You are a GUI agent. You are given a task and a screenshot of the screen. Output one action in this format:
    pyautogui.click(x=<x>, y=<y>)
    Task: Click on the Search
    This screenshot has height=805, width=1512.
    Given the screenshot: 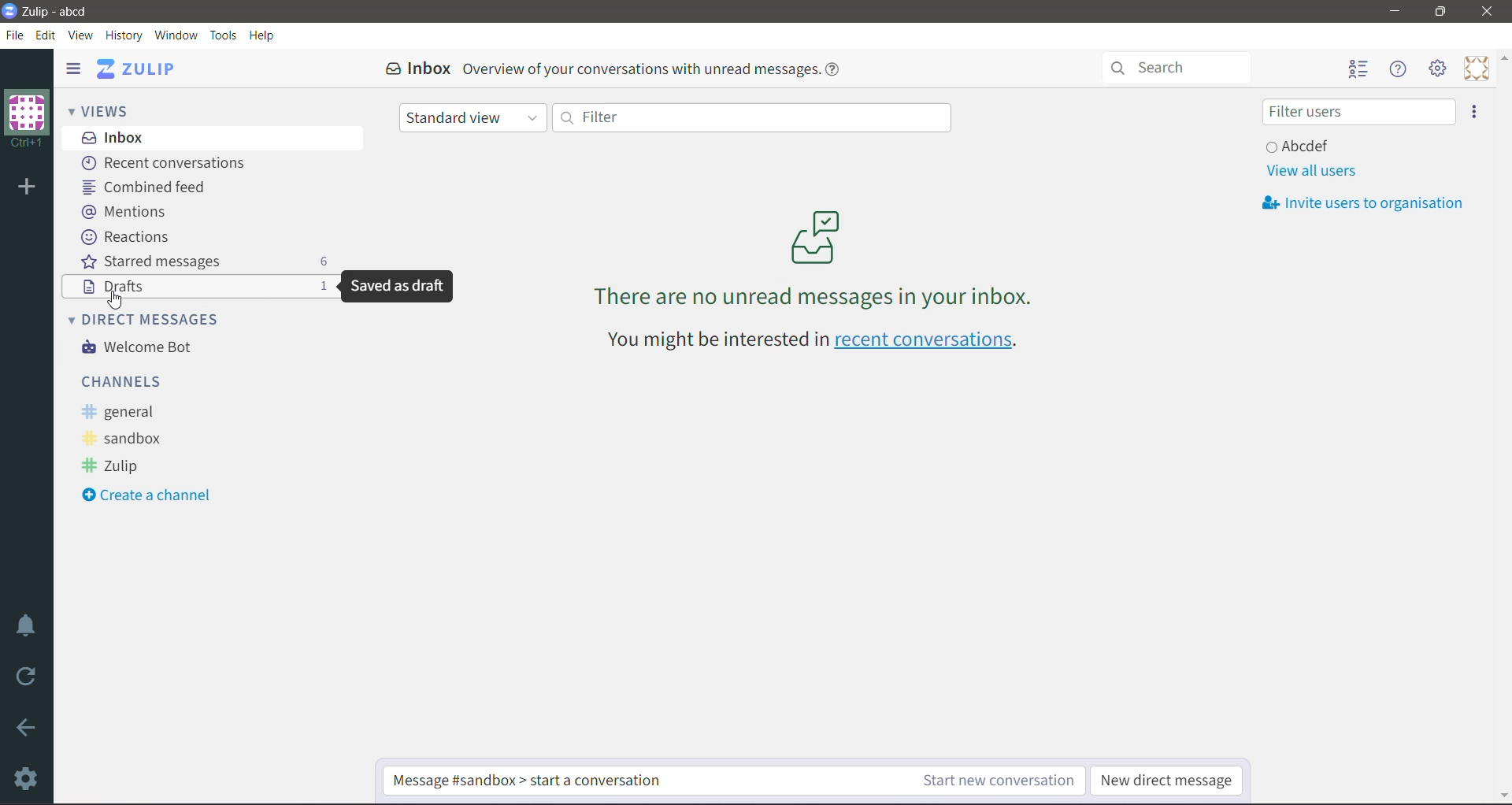 What is the action you would take?
    pyautogui.click(x=1184, y=66)
    